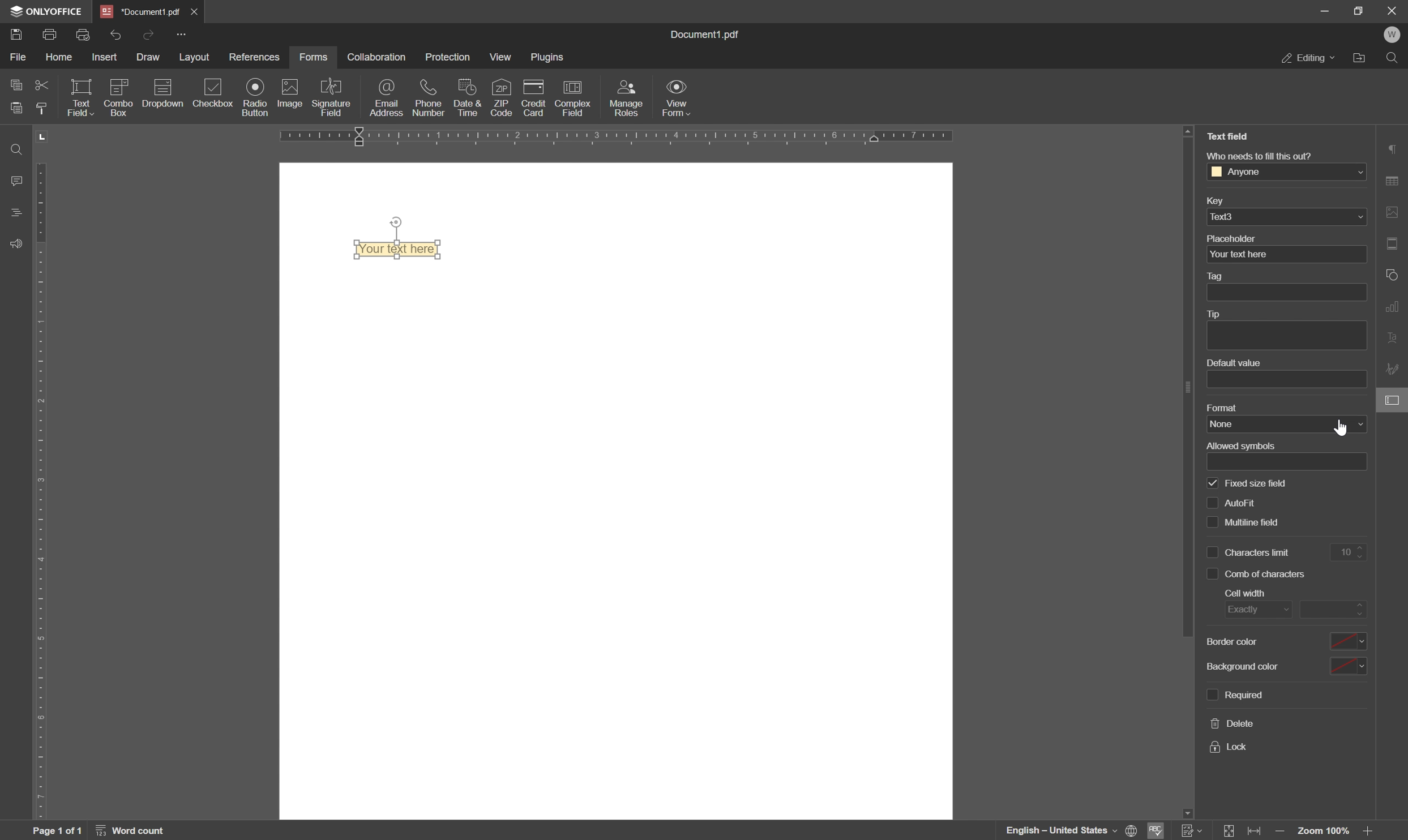 This screenshot has height=840, width=1408. I want to click on view, so click(500, 58).